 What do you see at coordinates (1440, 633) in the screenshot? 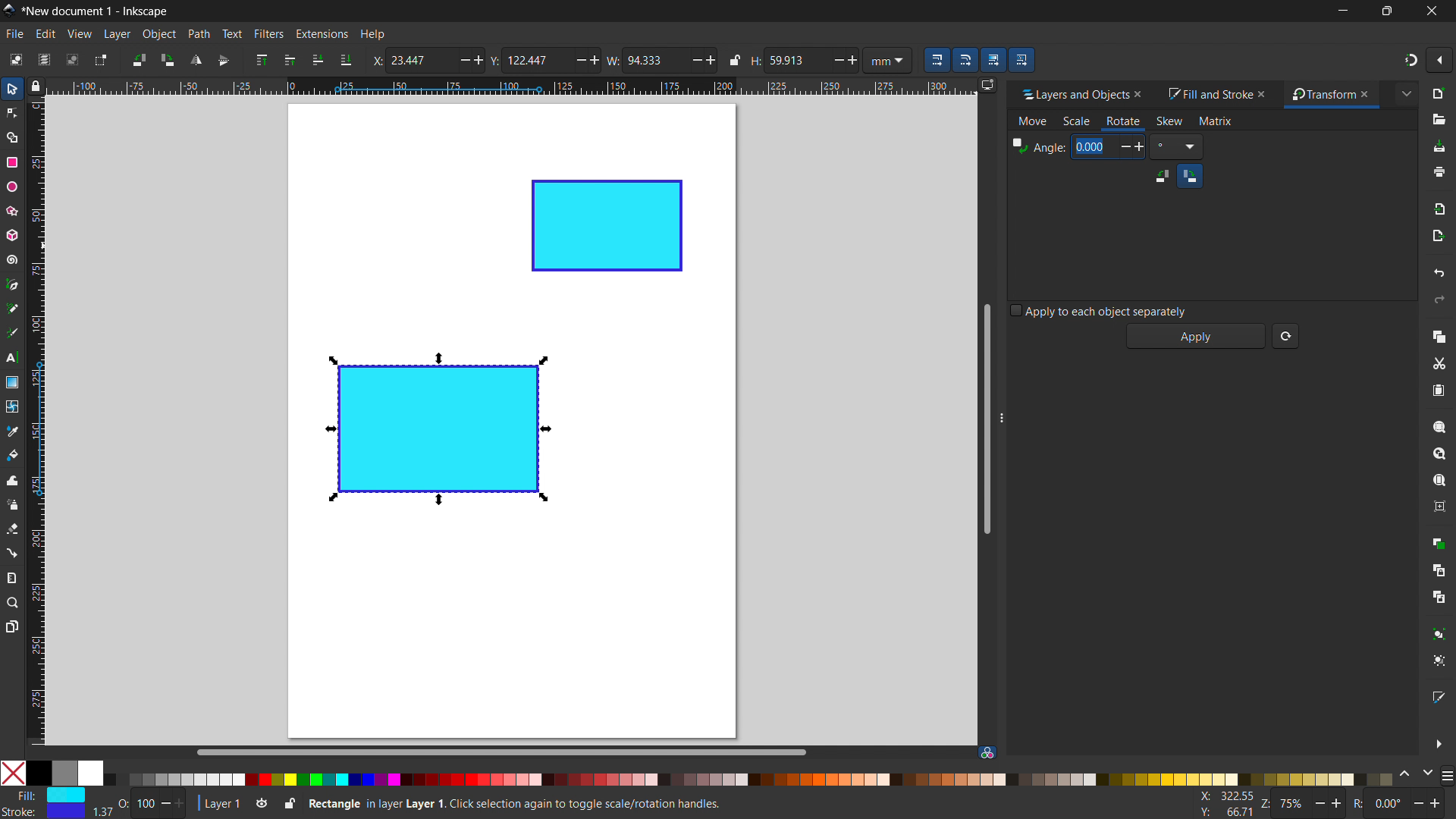
I see `group` at bounding box center [1440, 633].